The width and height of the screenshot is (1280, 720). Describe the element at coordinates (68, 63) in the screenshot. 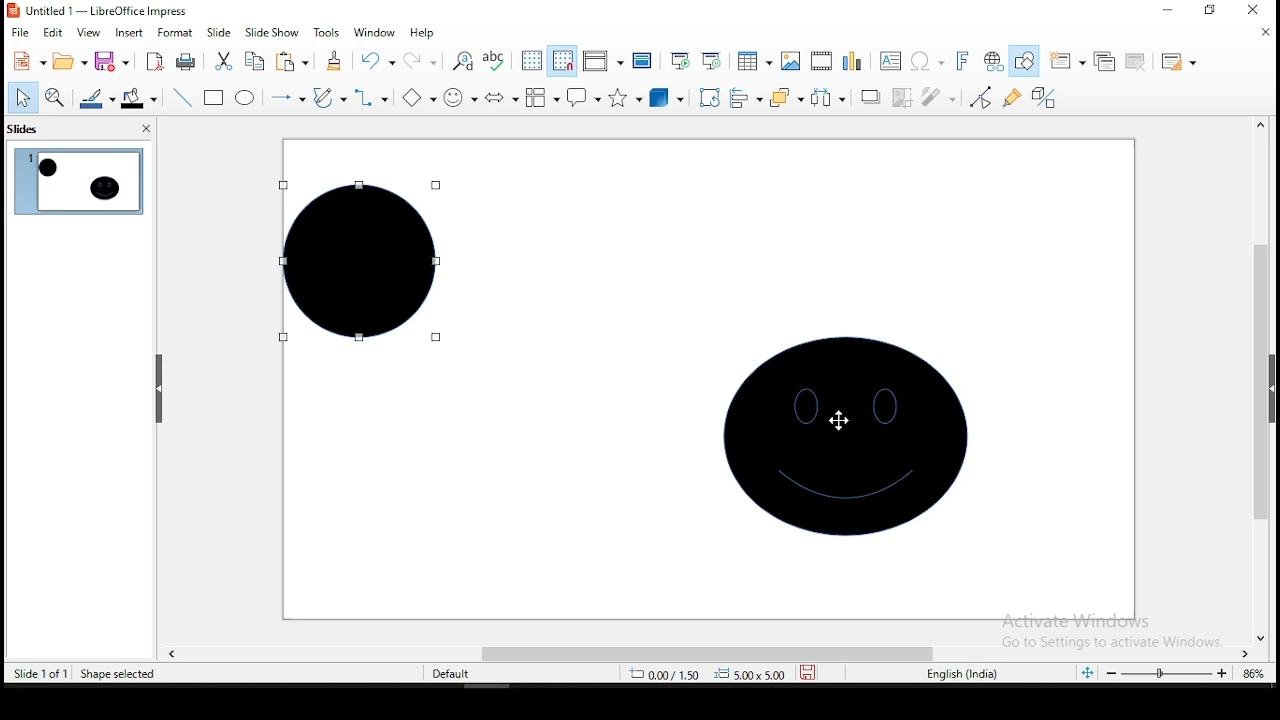

I see `open` at that location.